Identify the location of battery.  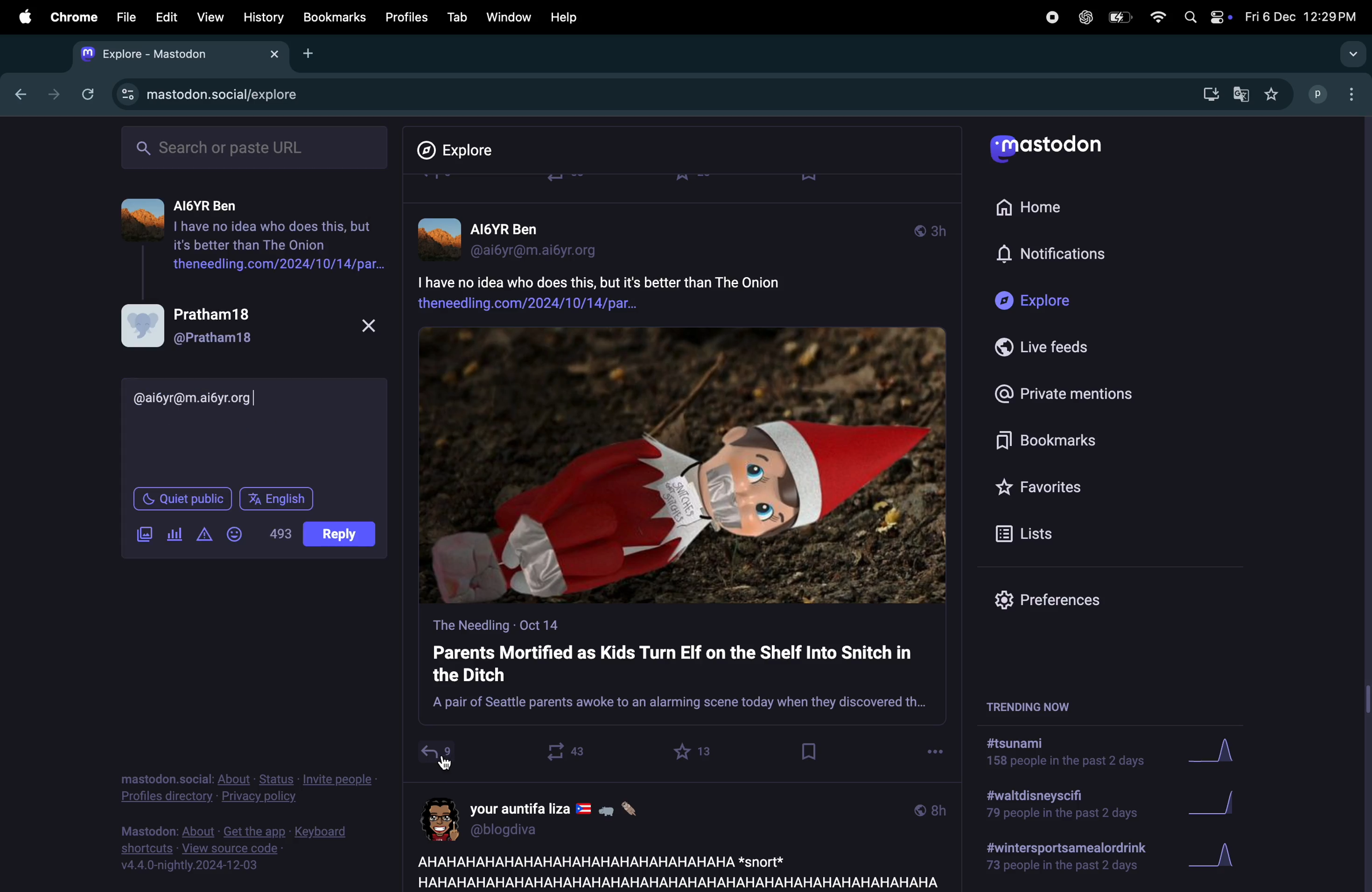
(1118, 18).